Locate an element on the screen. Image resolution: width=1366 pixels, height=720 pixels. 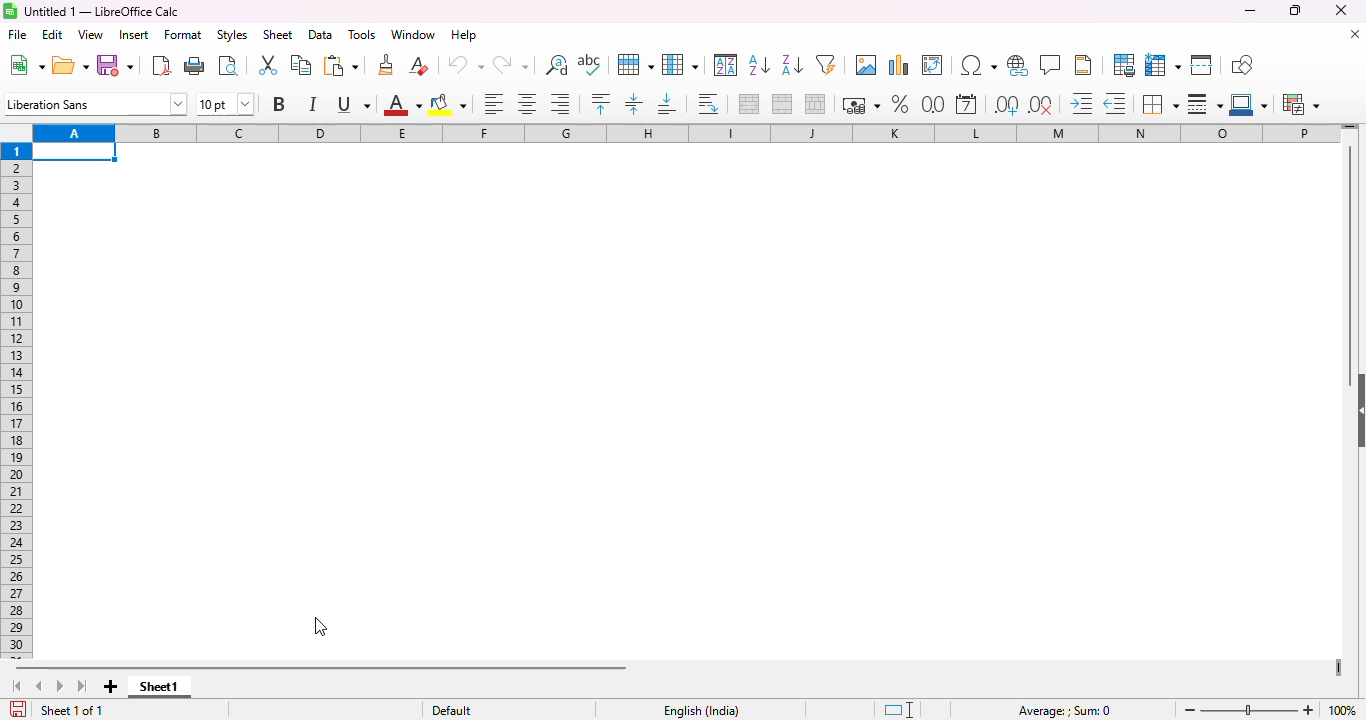
borders is located at coordinates (1160, 104).